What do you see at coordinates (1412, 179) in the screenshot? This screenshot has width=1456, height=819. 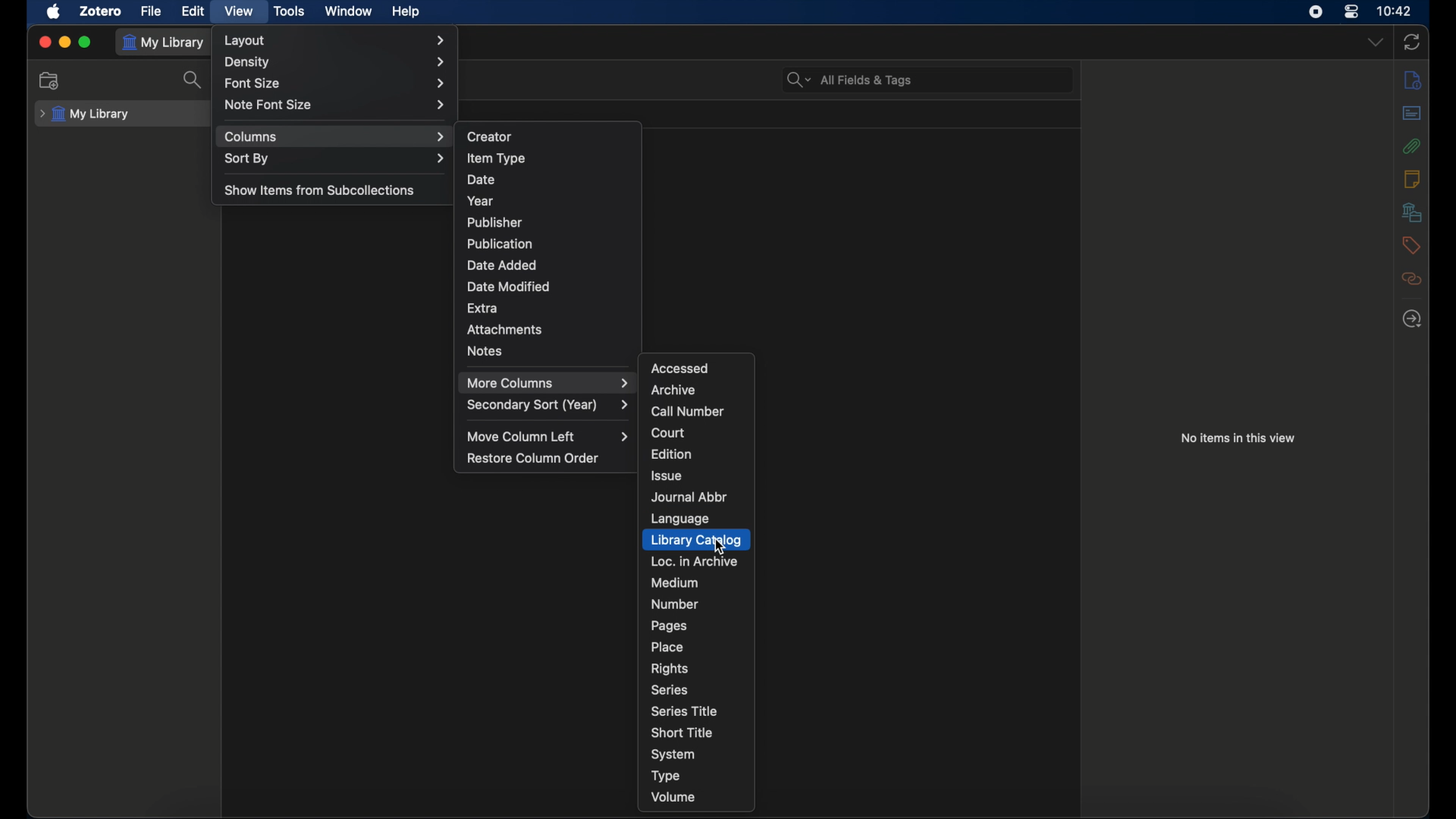 I see `notes` at bounding box center [1412, 179].